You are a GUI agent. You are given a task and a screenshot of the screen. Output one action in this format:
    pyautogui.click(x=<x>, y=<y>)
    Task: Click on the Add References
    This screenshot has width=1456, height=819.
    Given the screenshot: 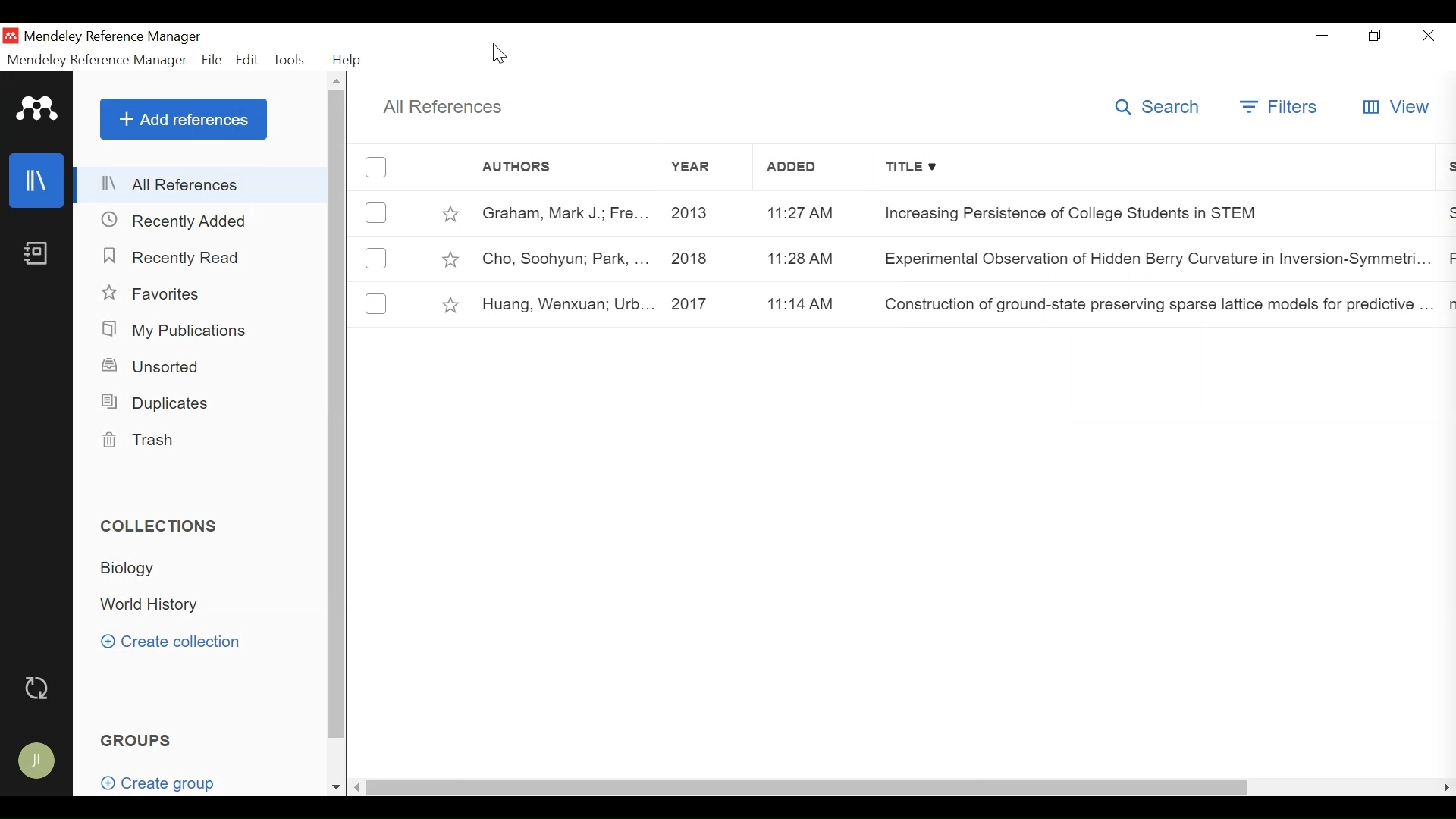 What is the action you would take?
    pyautogui.click(x=184, y=119)
    